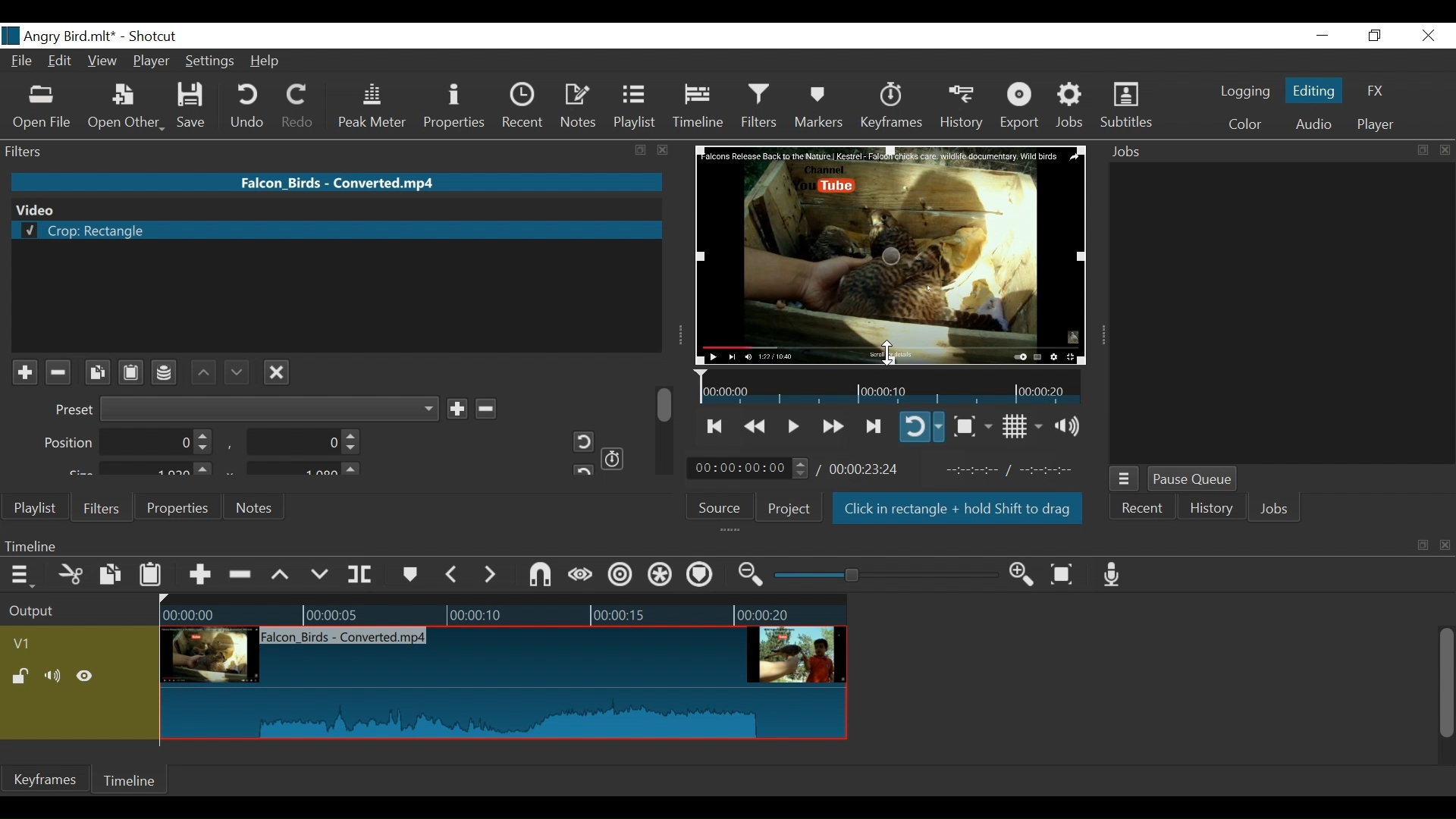  What do you see at coordinates (623, 577) in the screenshot?
I see `Ripple` at bounding box center [623, 577].